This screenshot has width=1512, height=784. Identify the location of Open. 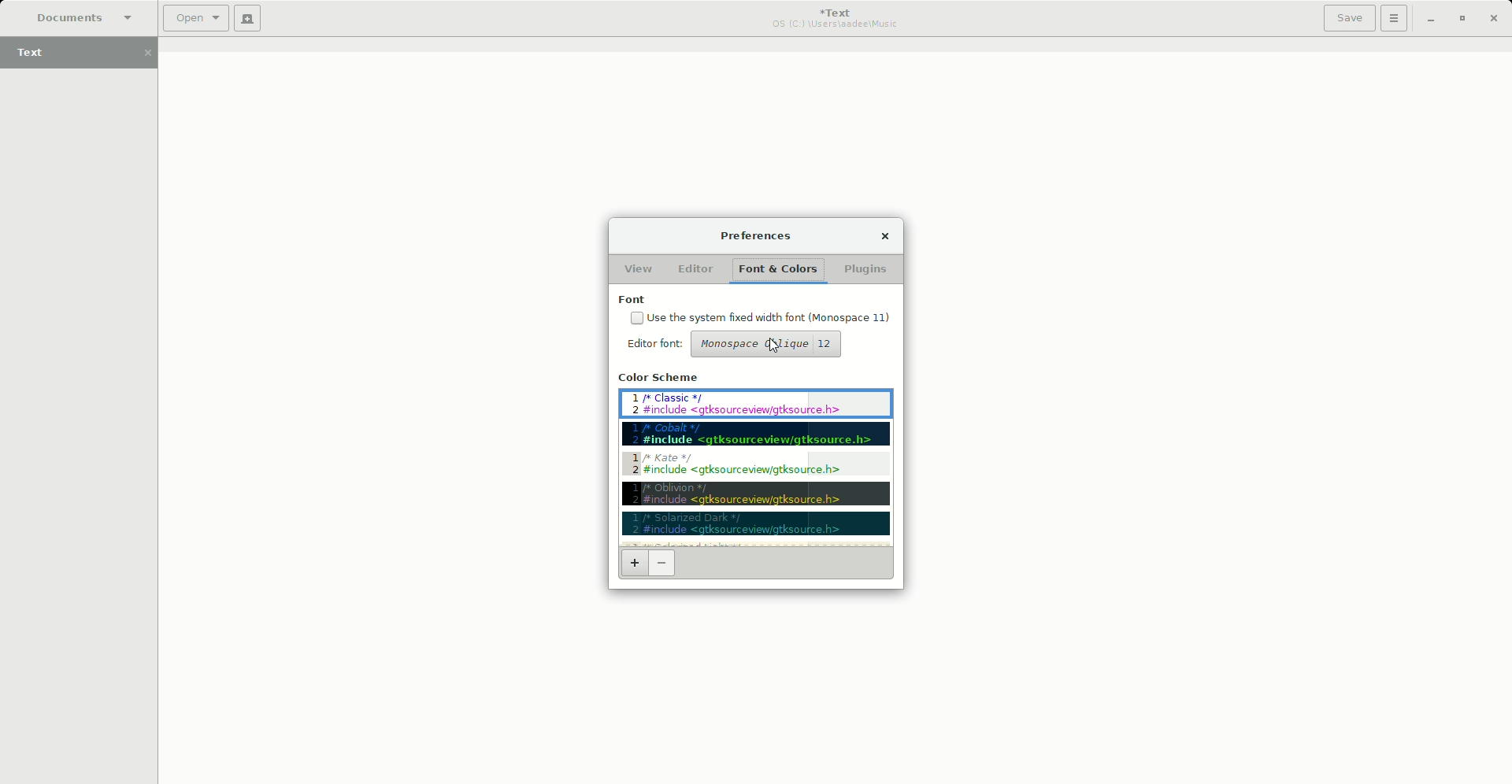
(196, 19).